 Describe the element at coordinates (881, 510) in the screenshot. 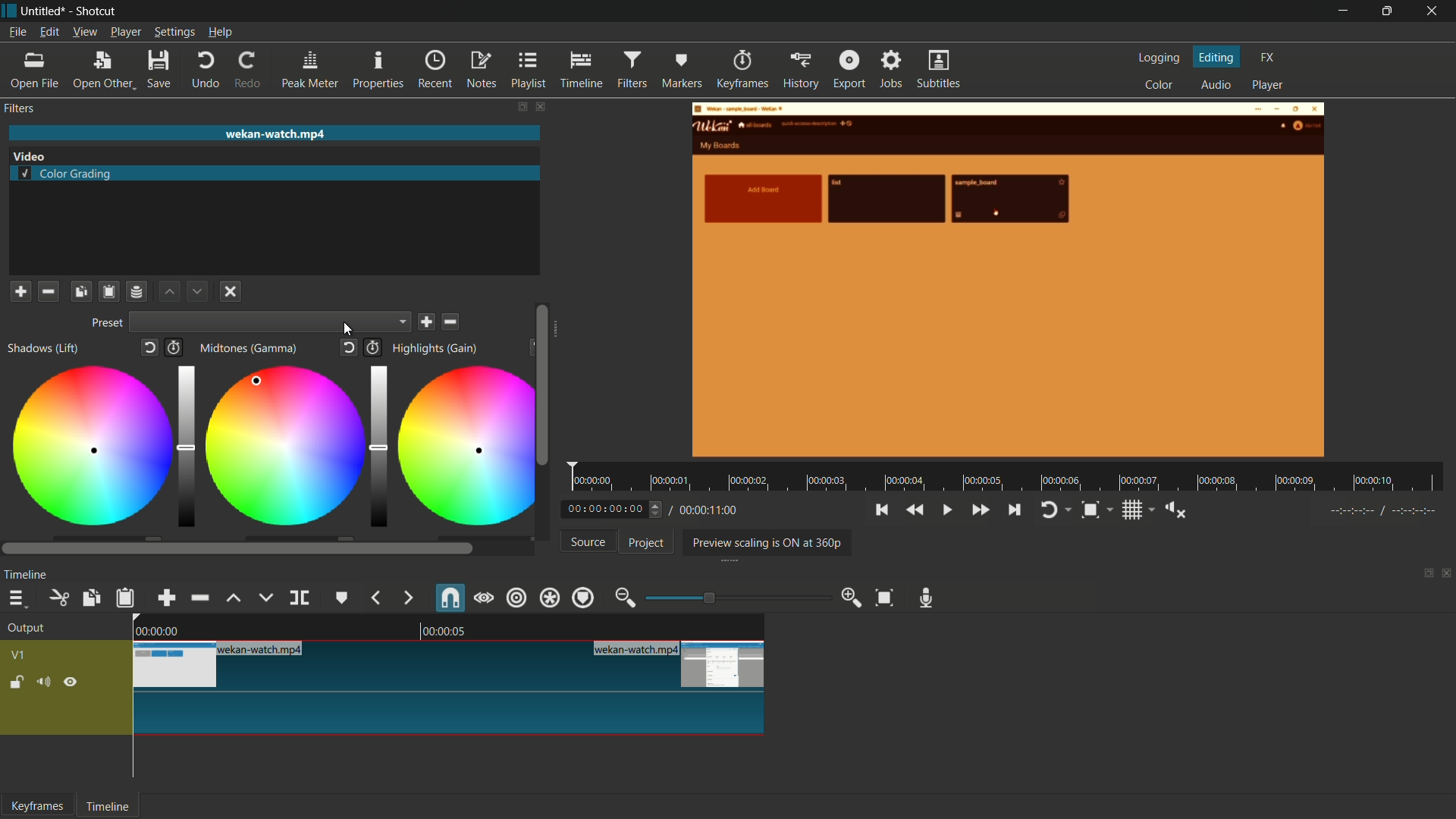

I see `skip to the previous point` at that location.